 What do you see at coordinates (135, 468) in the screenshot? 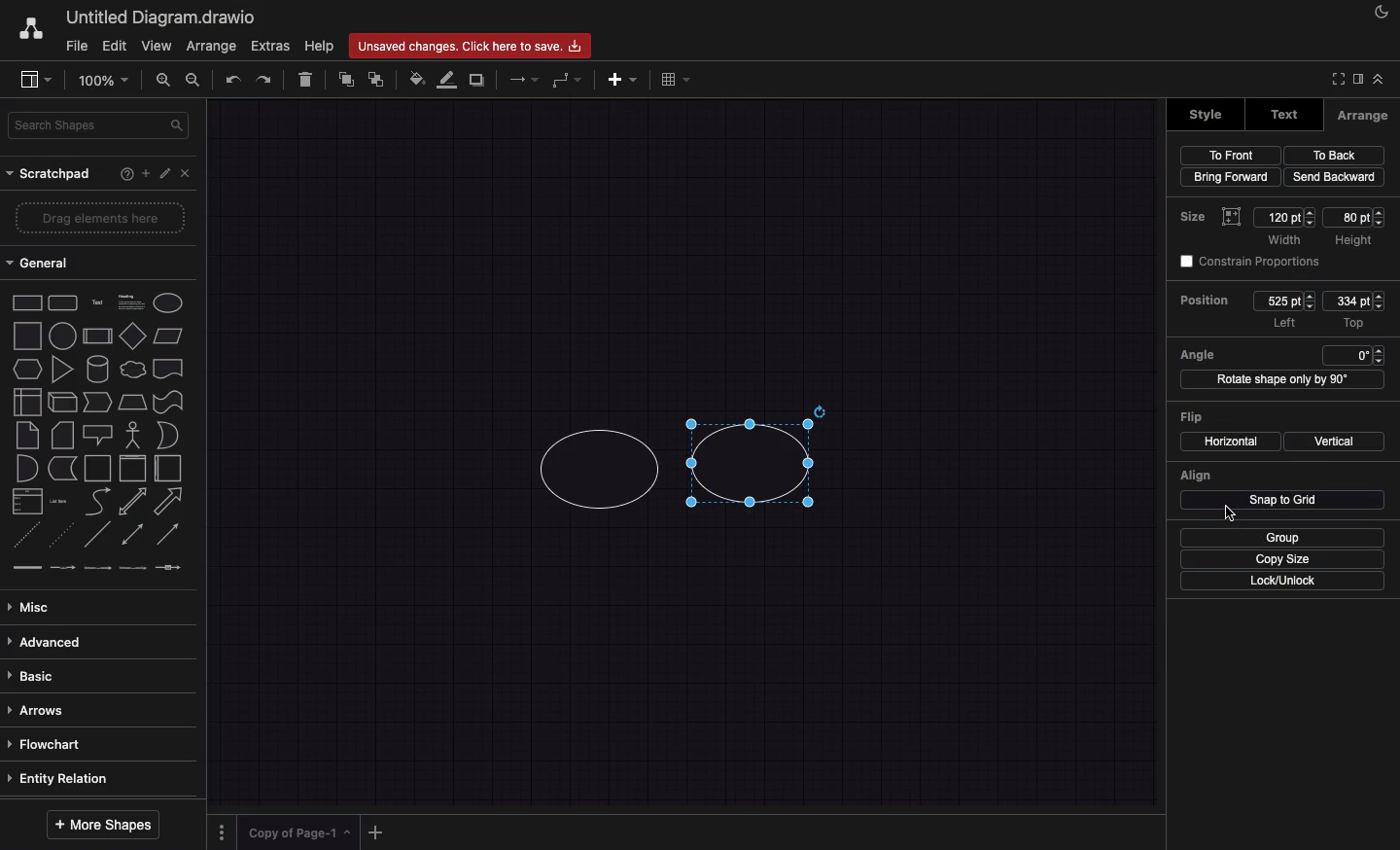
I see `vertical container` at bounding box center [135, 468].